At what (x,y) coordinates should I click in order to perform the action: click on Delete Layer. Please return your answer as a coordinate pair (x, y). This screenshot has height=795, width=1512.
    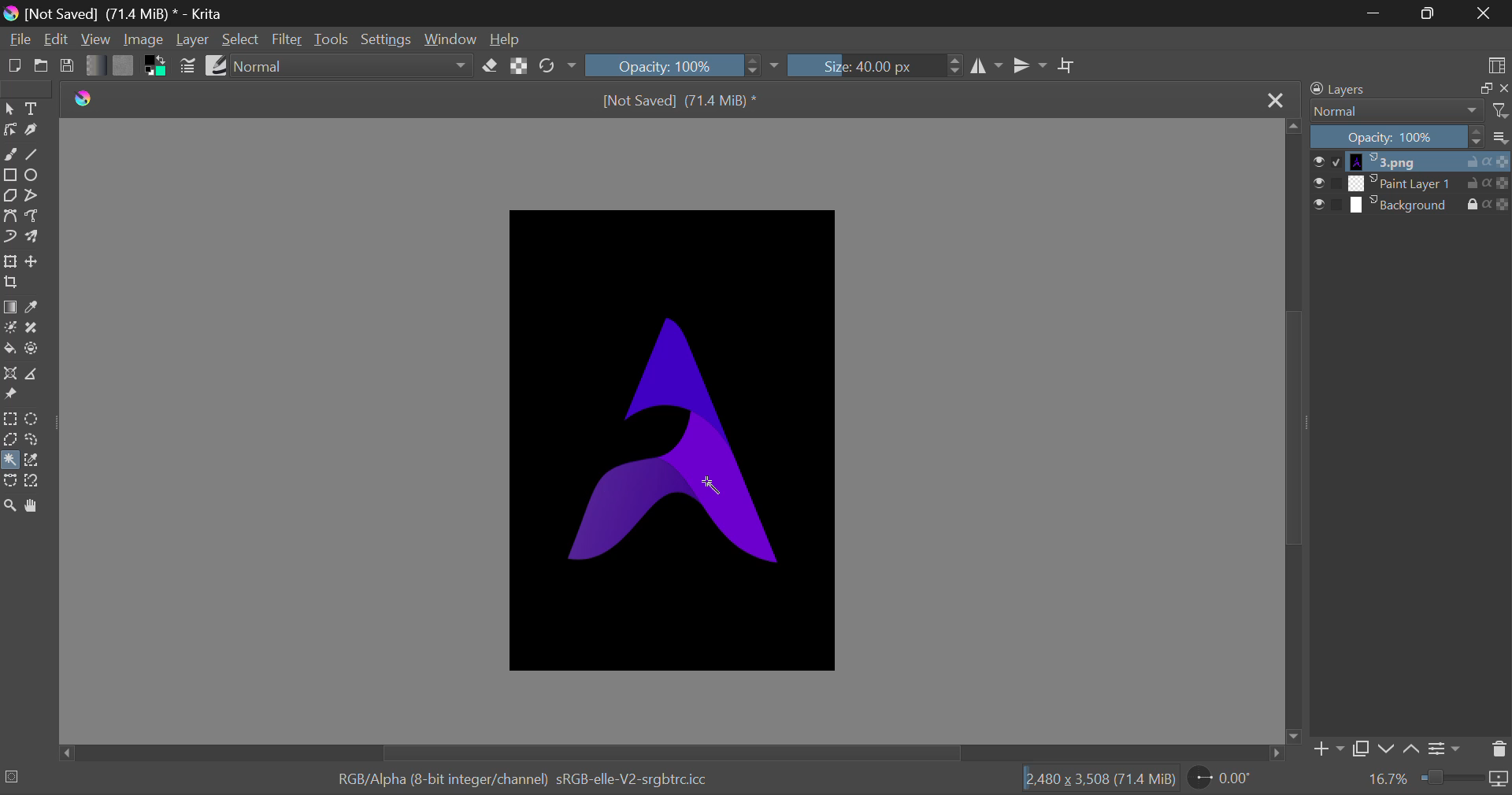
    Looking at the image, I should click on (1495, 749).